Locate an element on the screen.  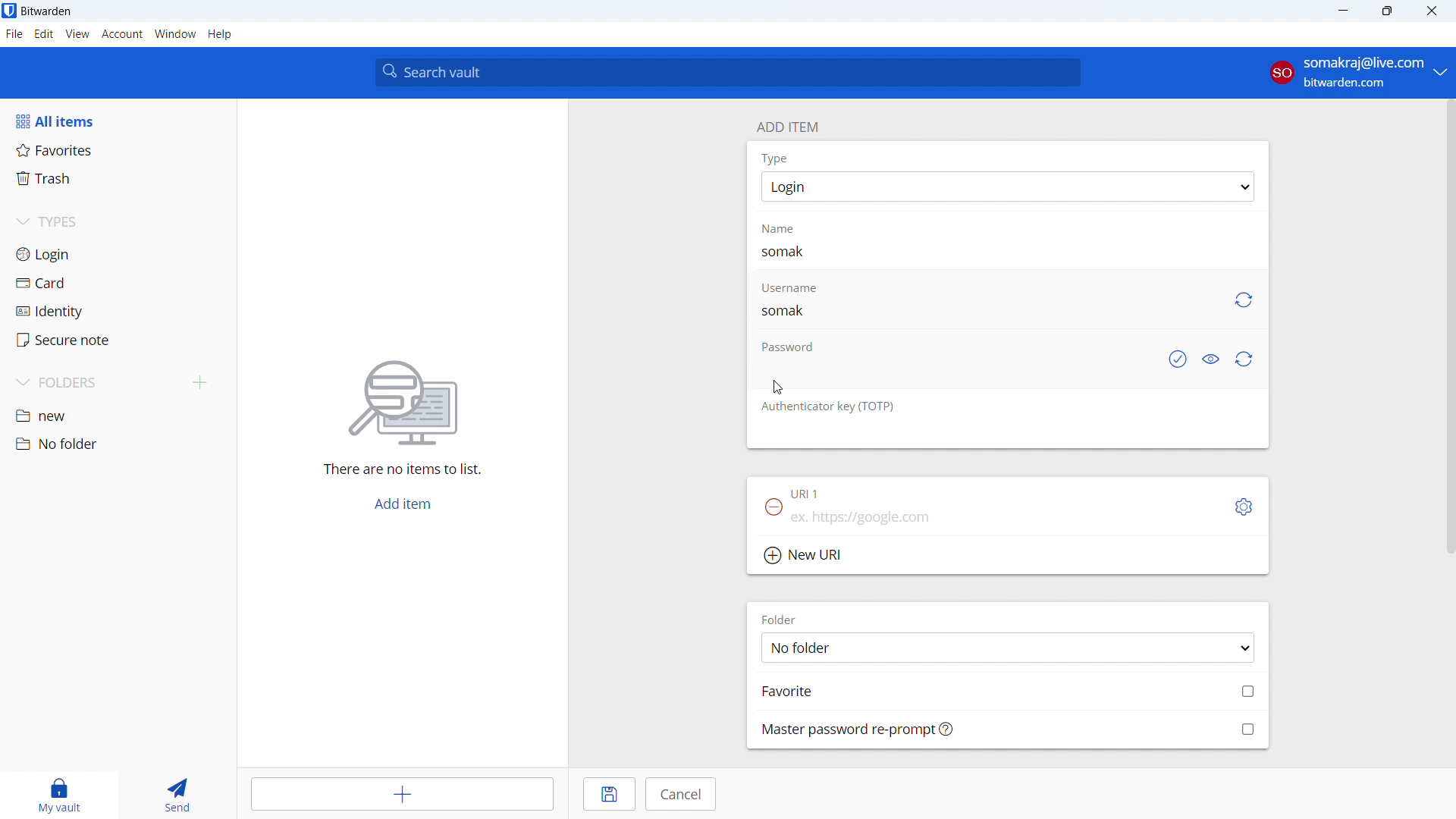
account is located at coordinates (1357, 73).